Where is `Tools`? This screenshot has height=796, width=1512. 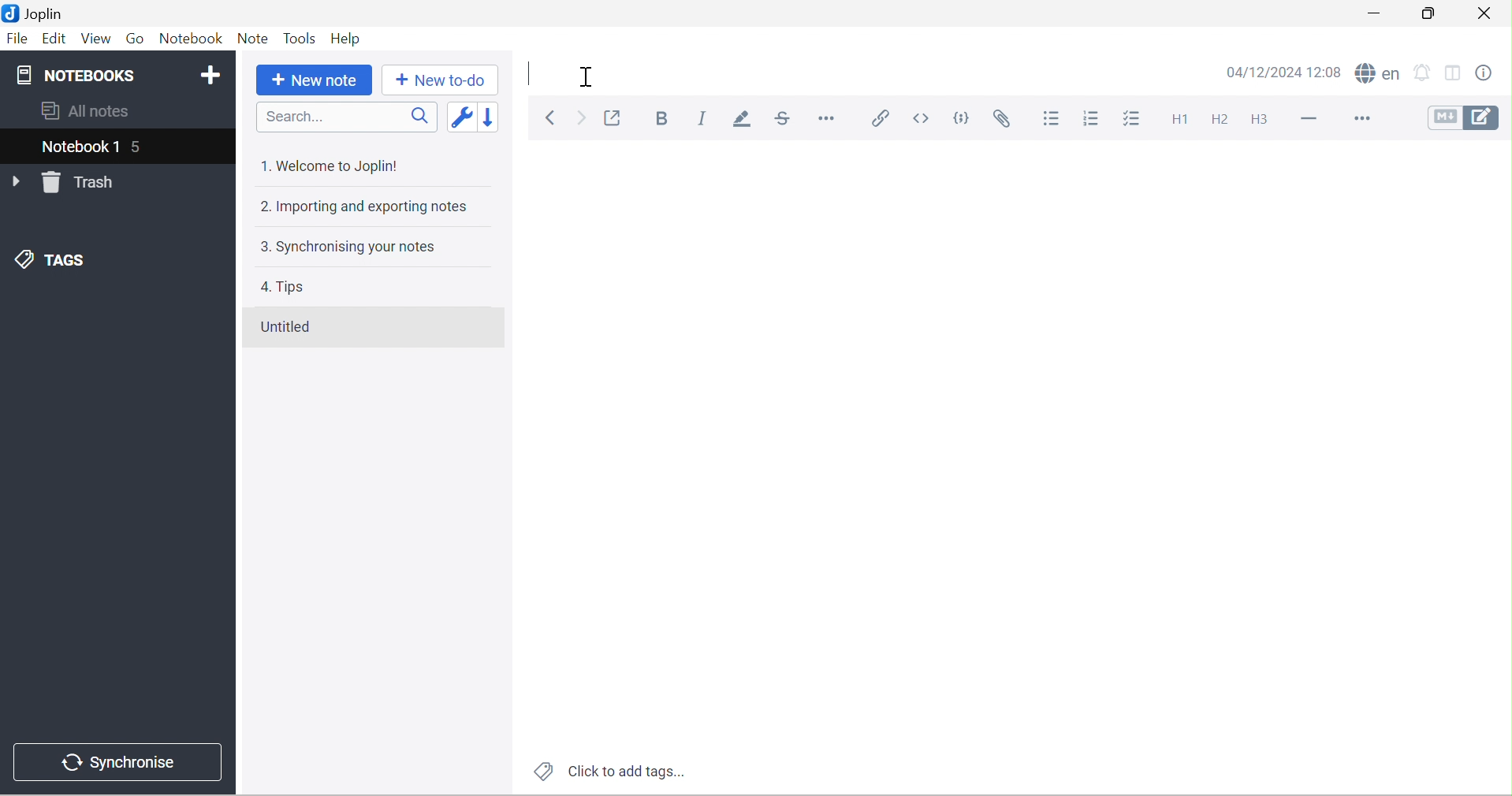 Tools is located at coordinates (301, 38).